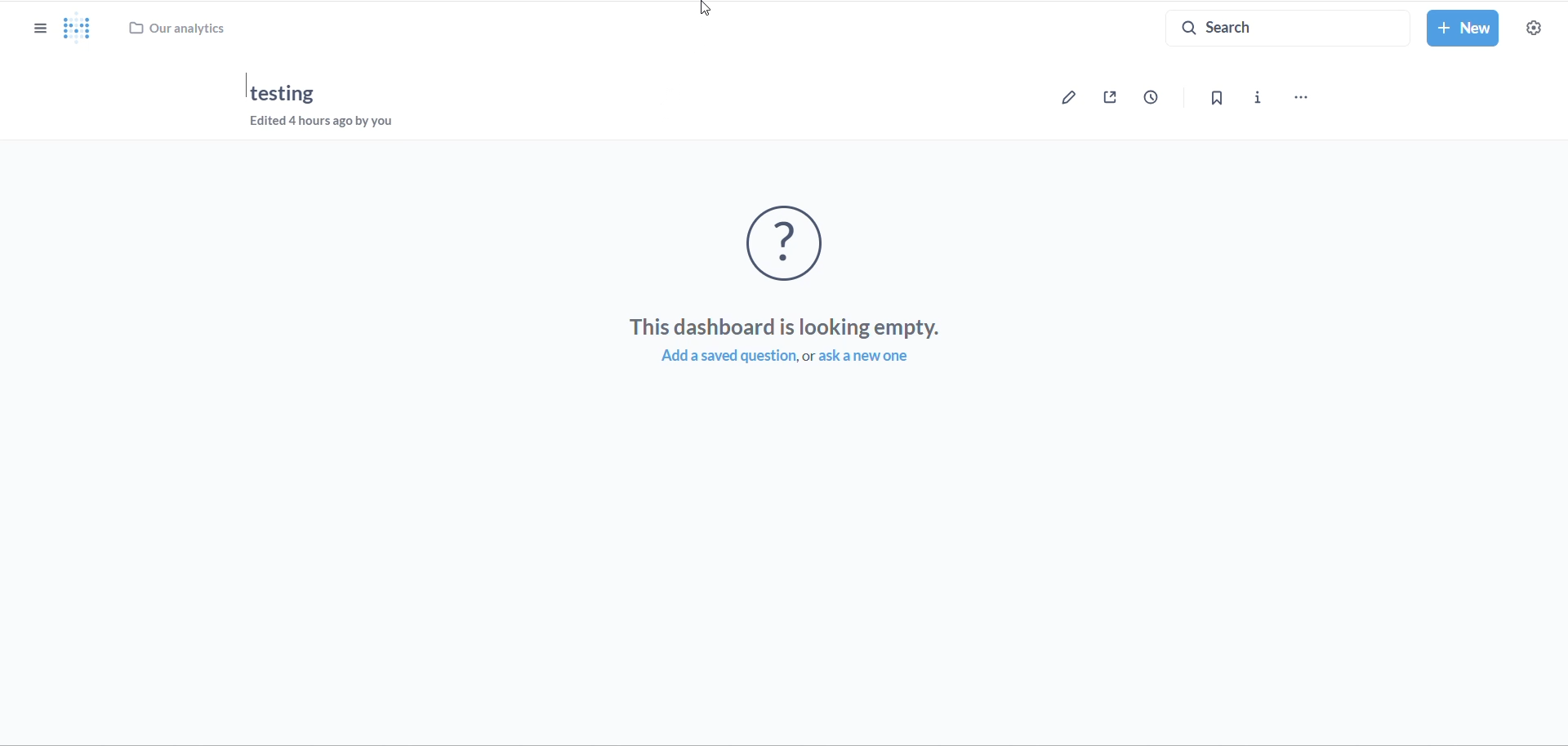 The image size is (1568, 746). Describe the element at coordinates (287, 94) in the screenshot. I see `testing` at that location.